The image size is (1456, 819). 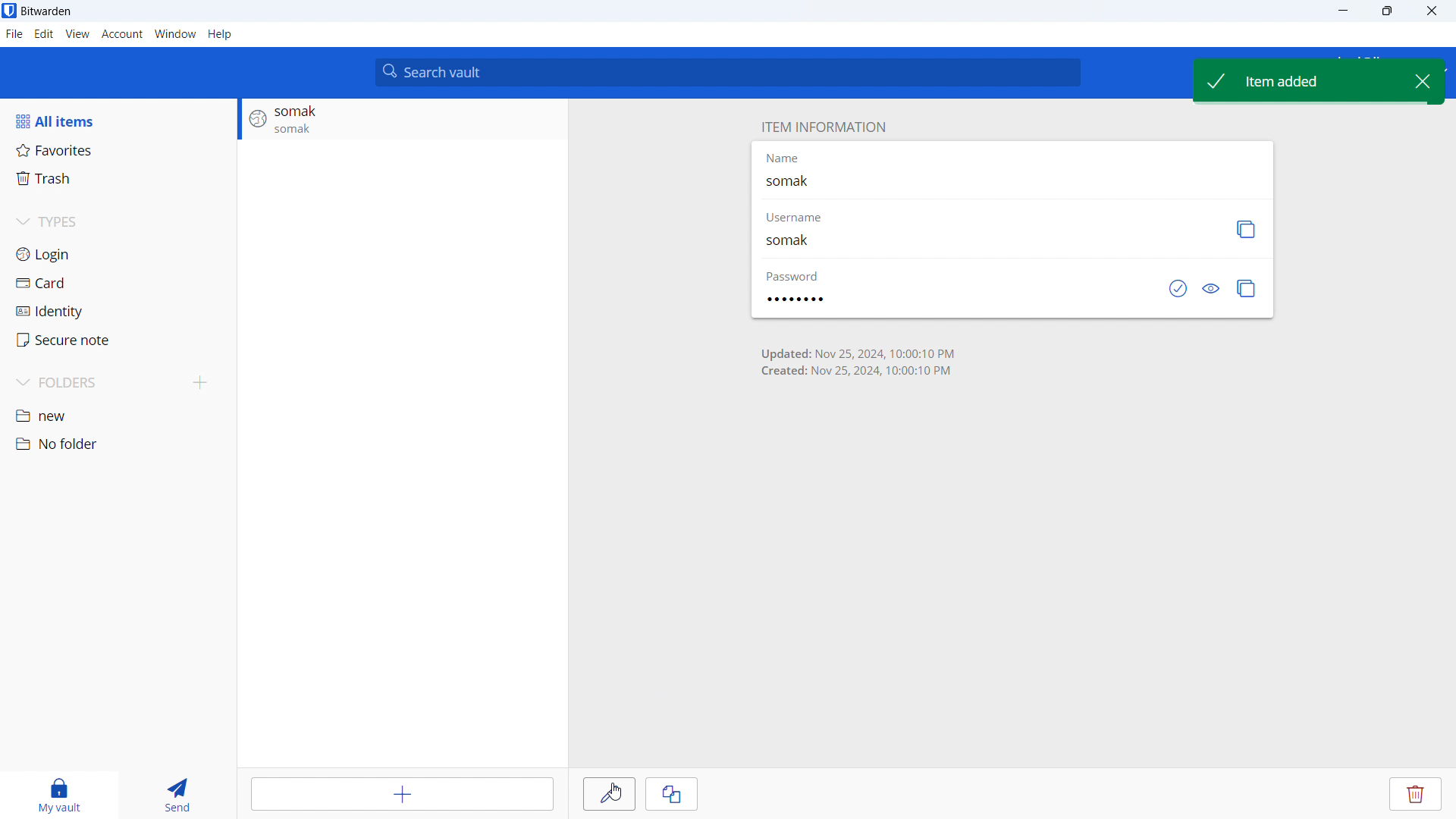 I want to click on add item, so click(x=405, y=794).